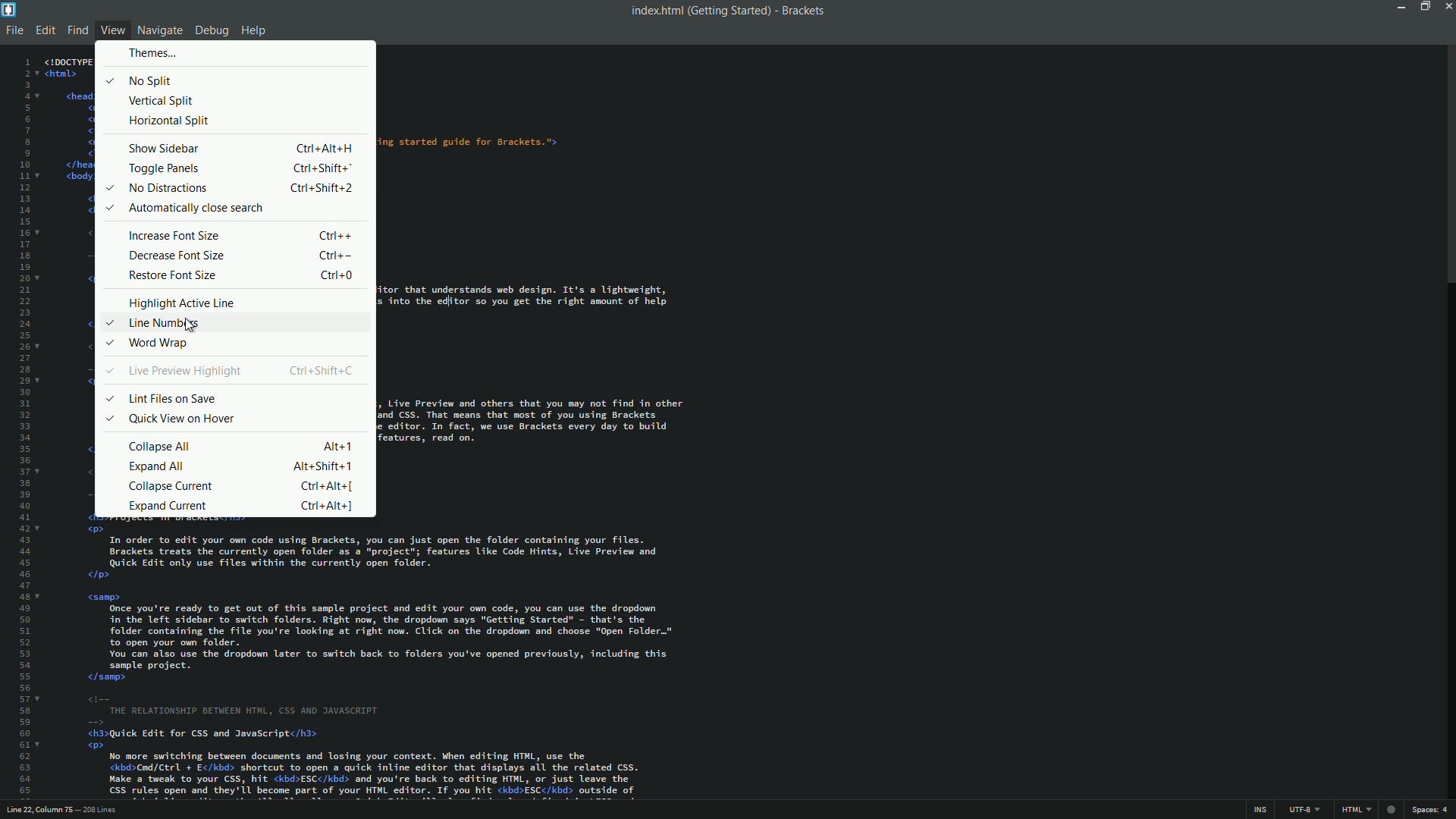 The height and width of the screenshot is (819, 1456). Describe the element at coordinates (211, 32) in the screenshot. I see `debug` at that location.